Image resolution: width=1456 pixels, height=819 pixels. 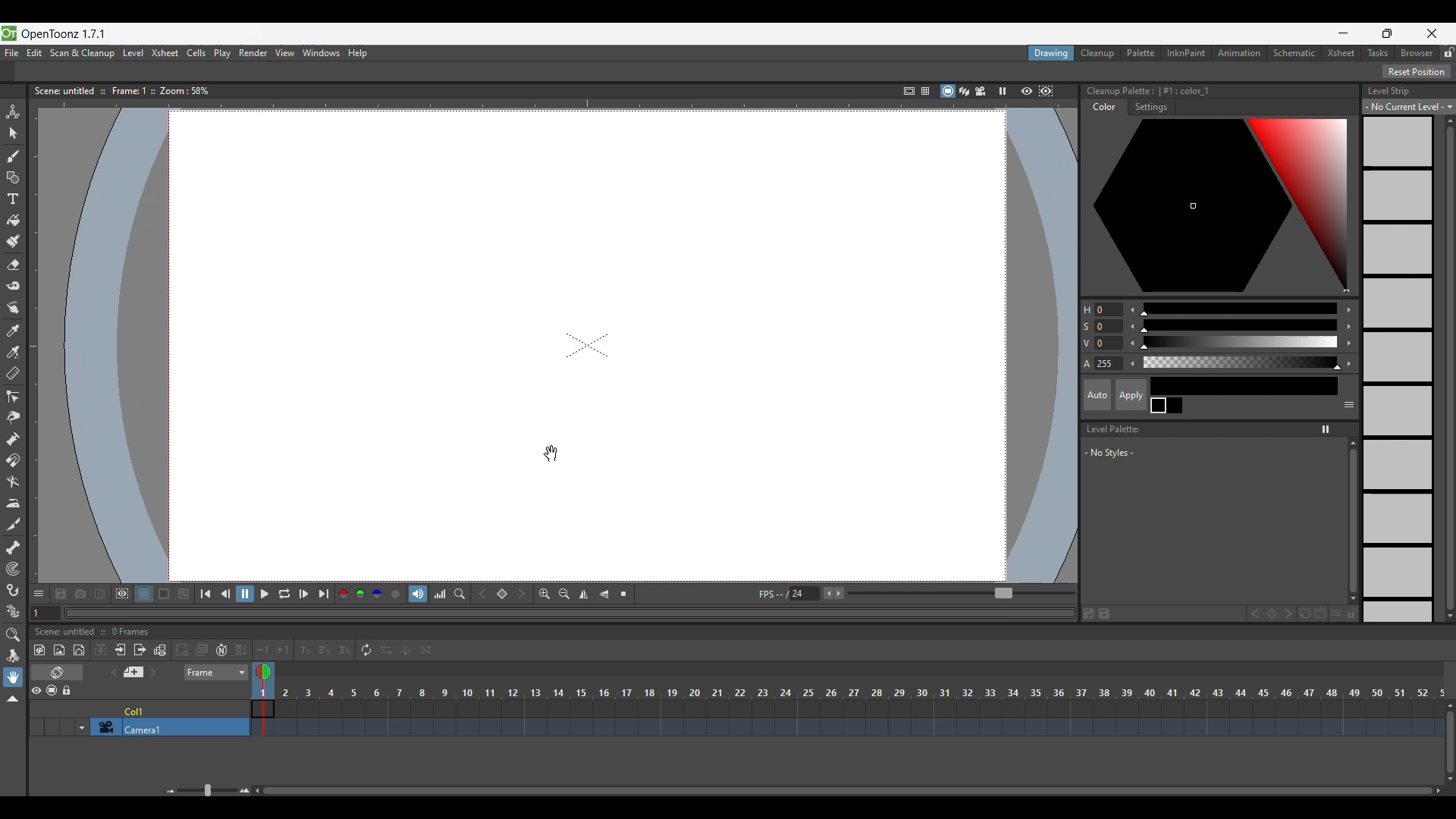 I want to click on Space to list new styles, so click(x=1113, y=497).